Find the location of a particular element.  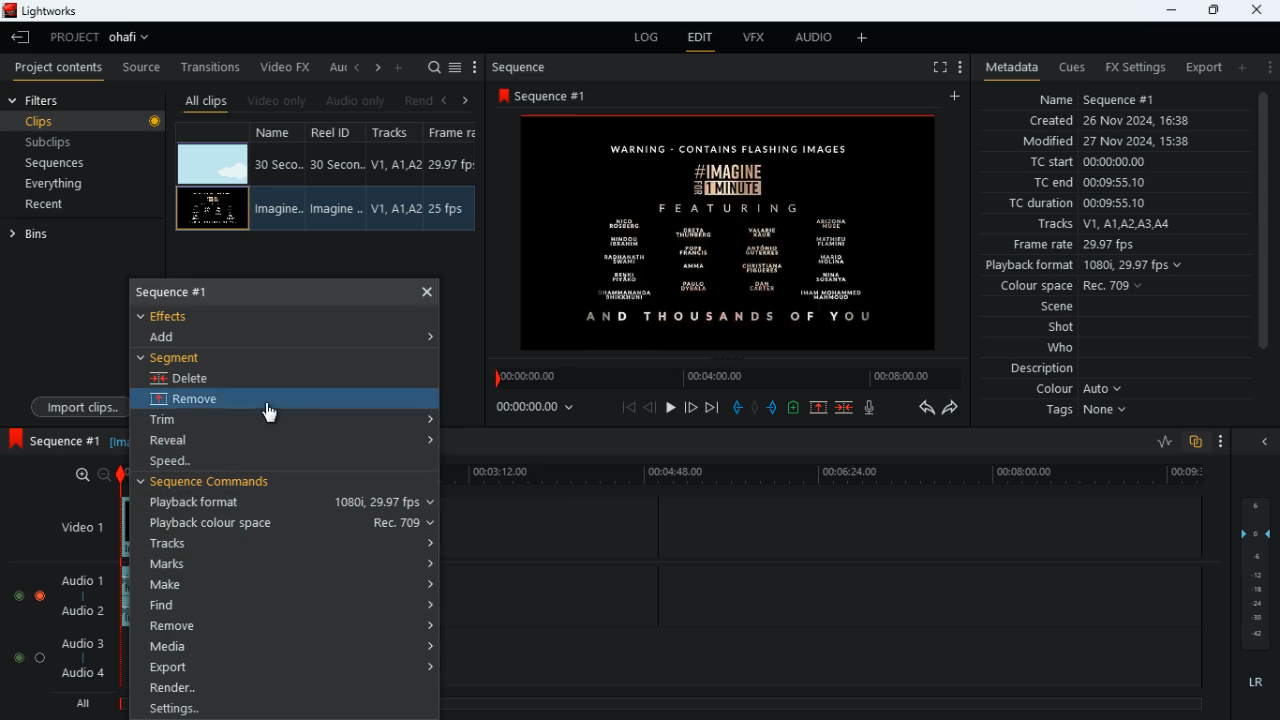

timeline tracks is located at coordinates (822, 526).